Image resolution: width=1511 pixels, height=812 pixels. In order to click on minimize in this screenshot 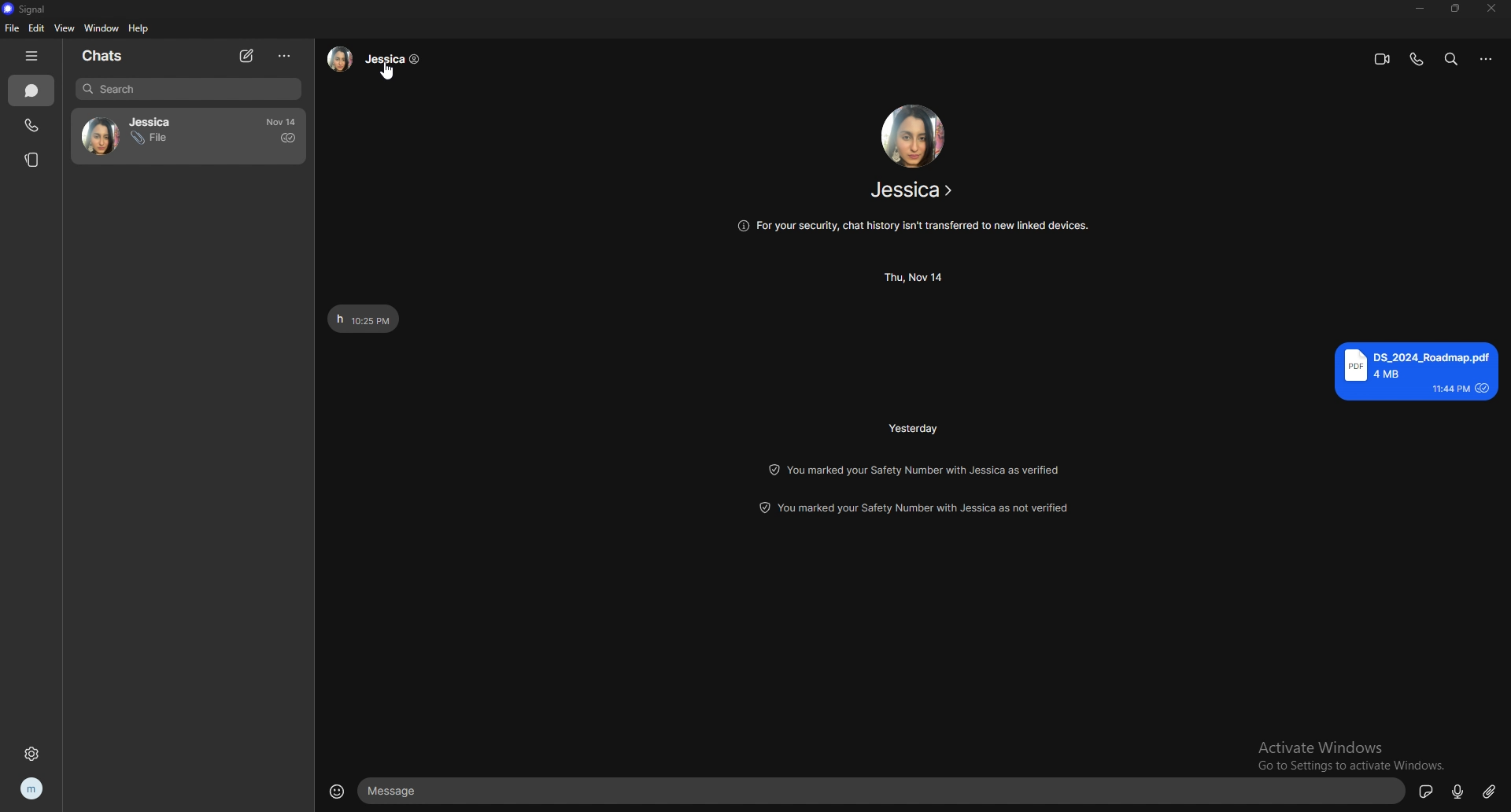, I will do `click(1419, 9)`.